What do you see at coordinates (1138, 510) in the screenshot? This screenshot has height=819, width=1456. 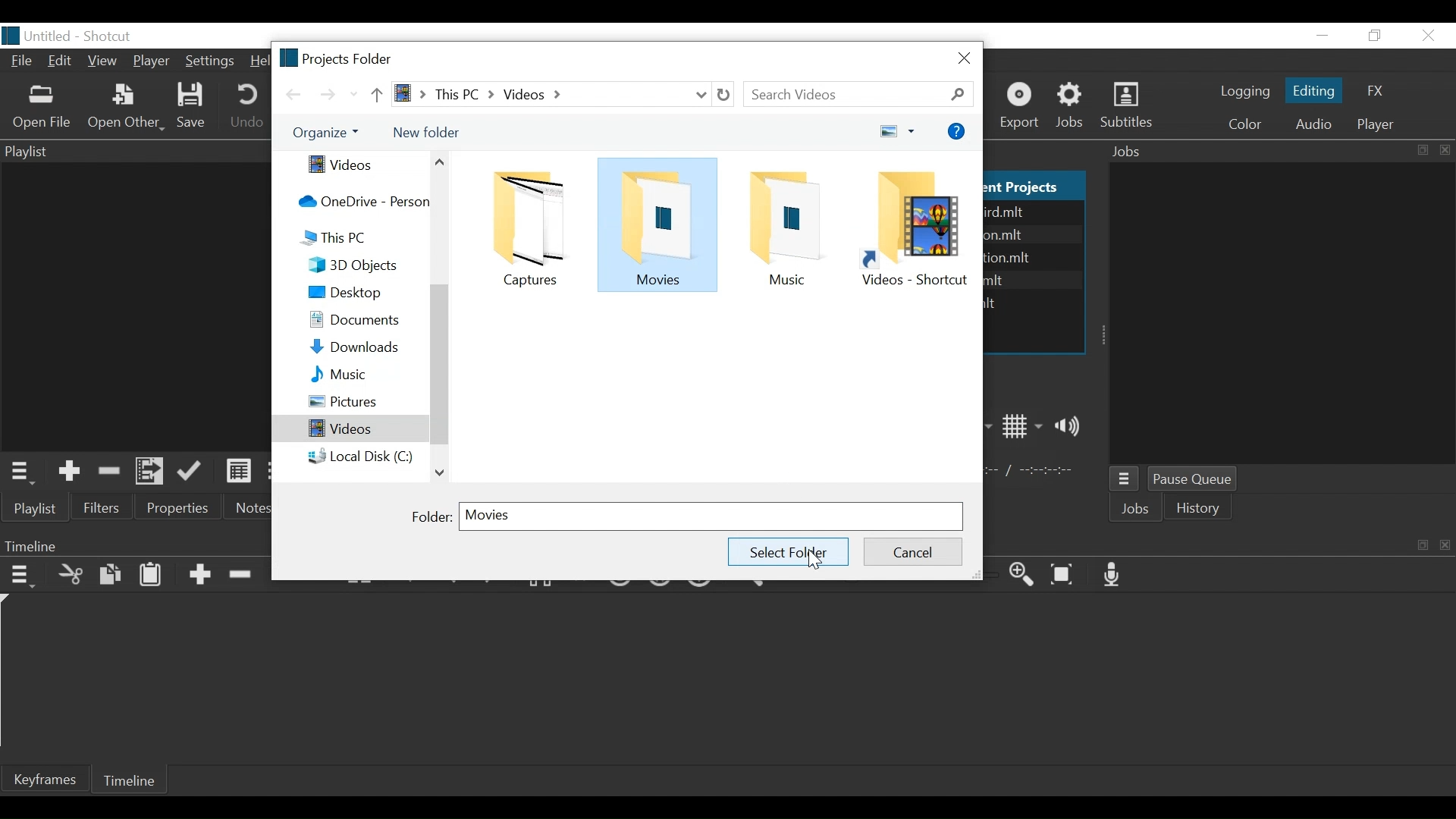 I see `Jobs` at bounding box center [1138, 510].